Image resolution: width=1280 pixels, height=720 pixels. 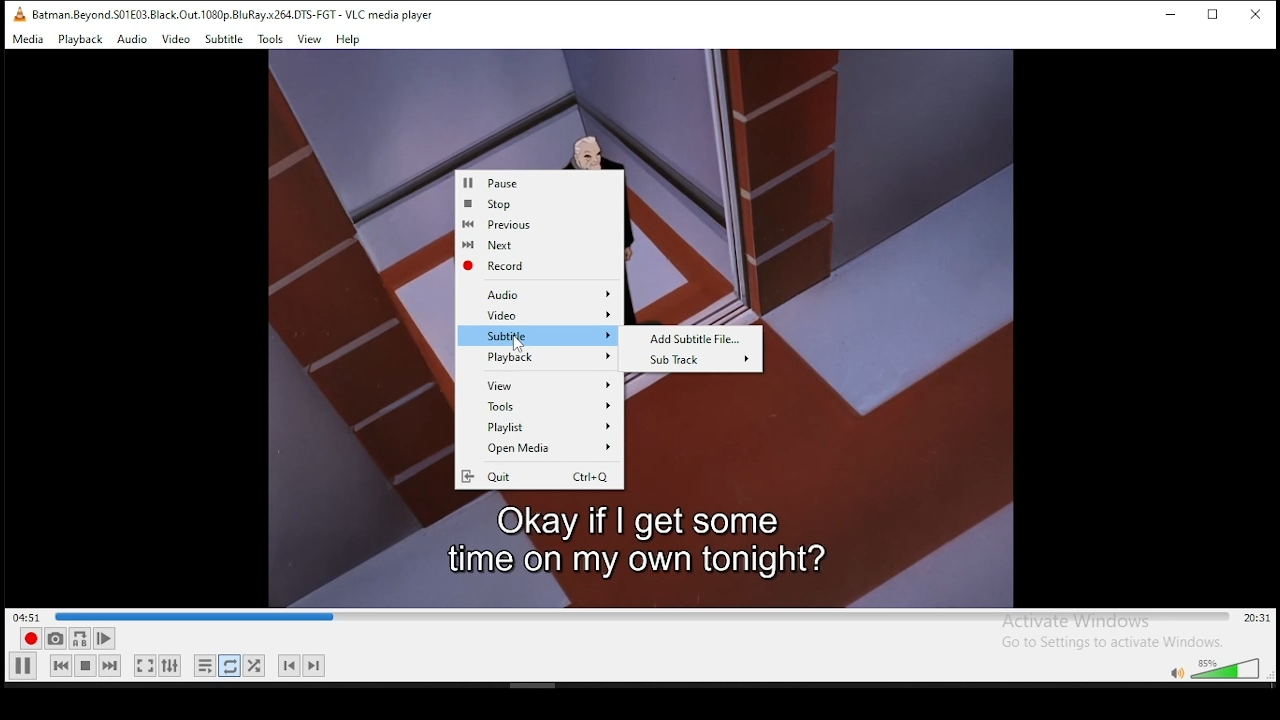 What do you see at coordinates (542, 184) in the screenshot?
I see `Pause` at bounding box center [542, 184].